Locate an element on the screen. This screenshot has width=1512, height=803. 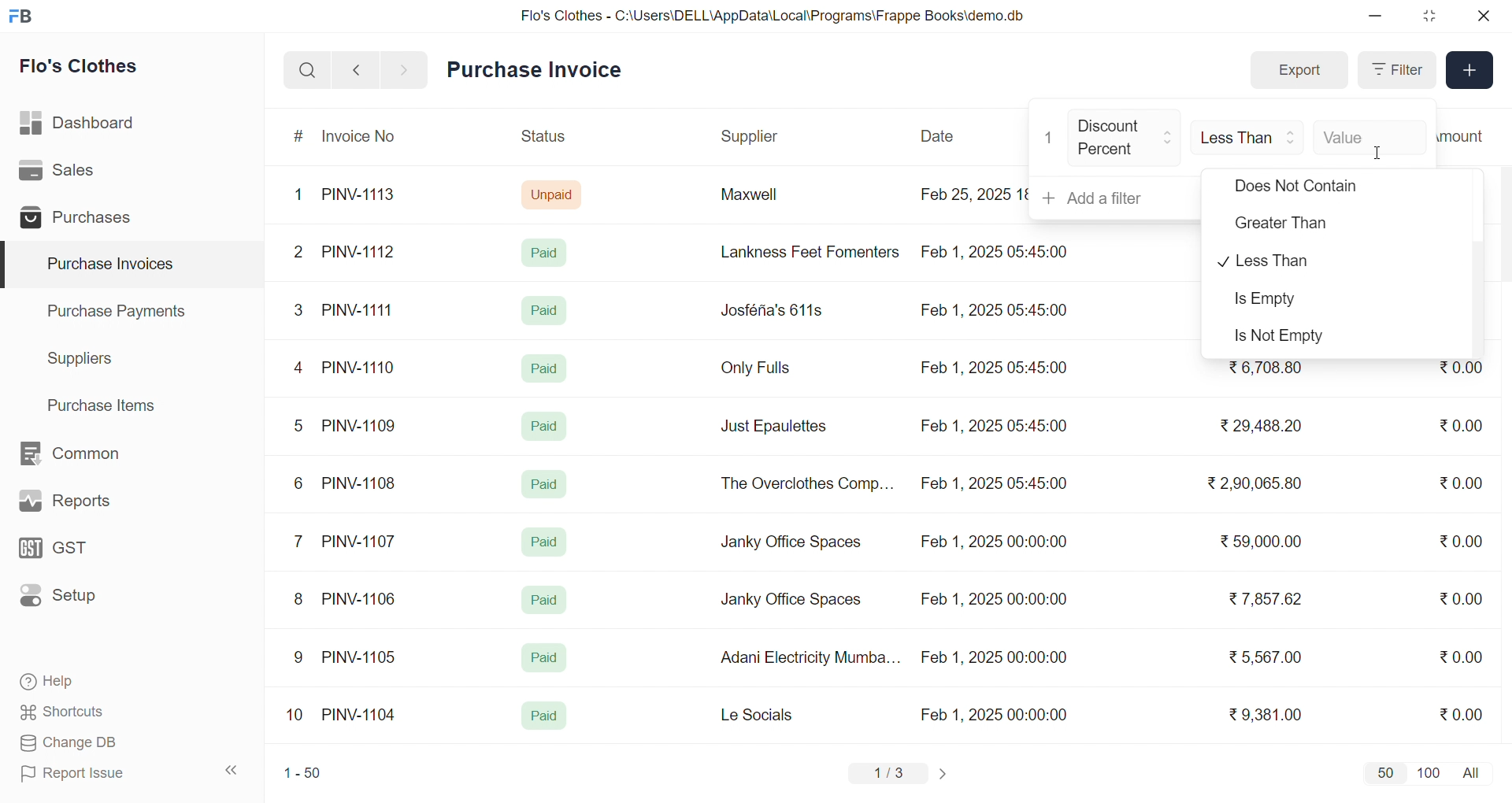
search is located at coordinates (307, 70).